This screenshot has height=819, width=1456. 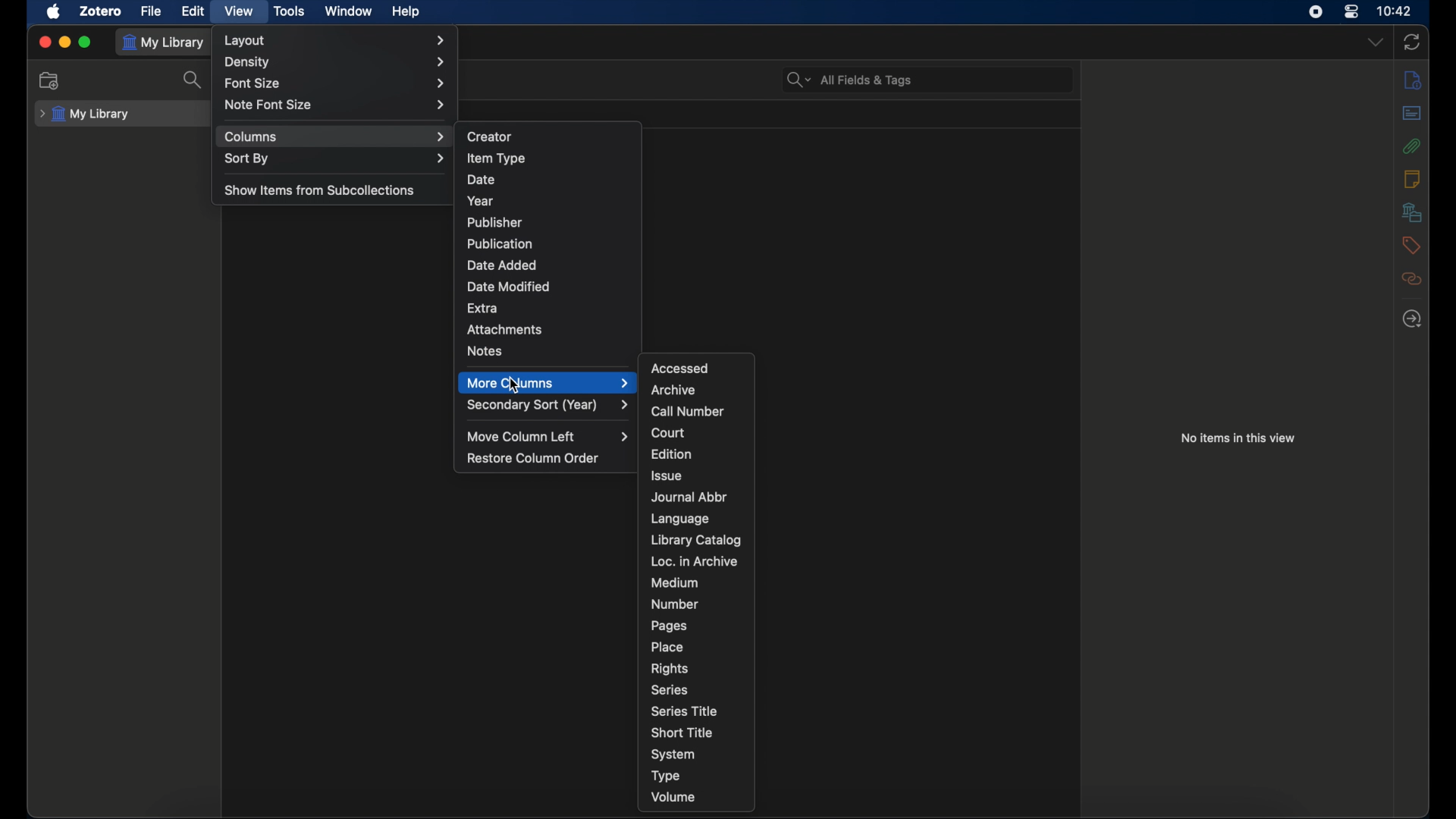 What do you see at coordinates (290, 11) in the screenshot?
I see `tools` at bounding box center [290, 11].